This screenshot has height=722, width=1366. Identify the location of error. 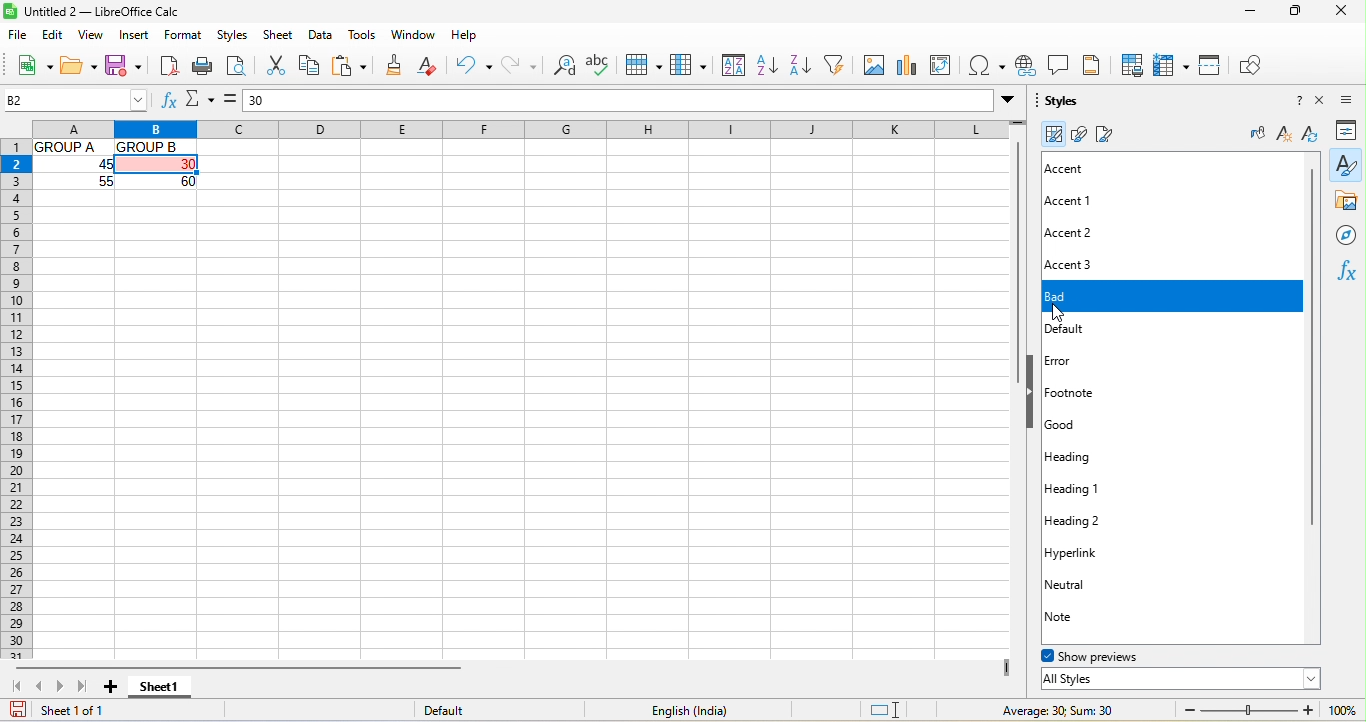
(1081, 359).